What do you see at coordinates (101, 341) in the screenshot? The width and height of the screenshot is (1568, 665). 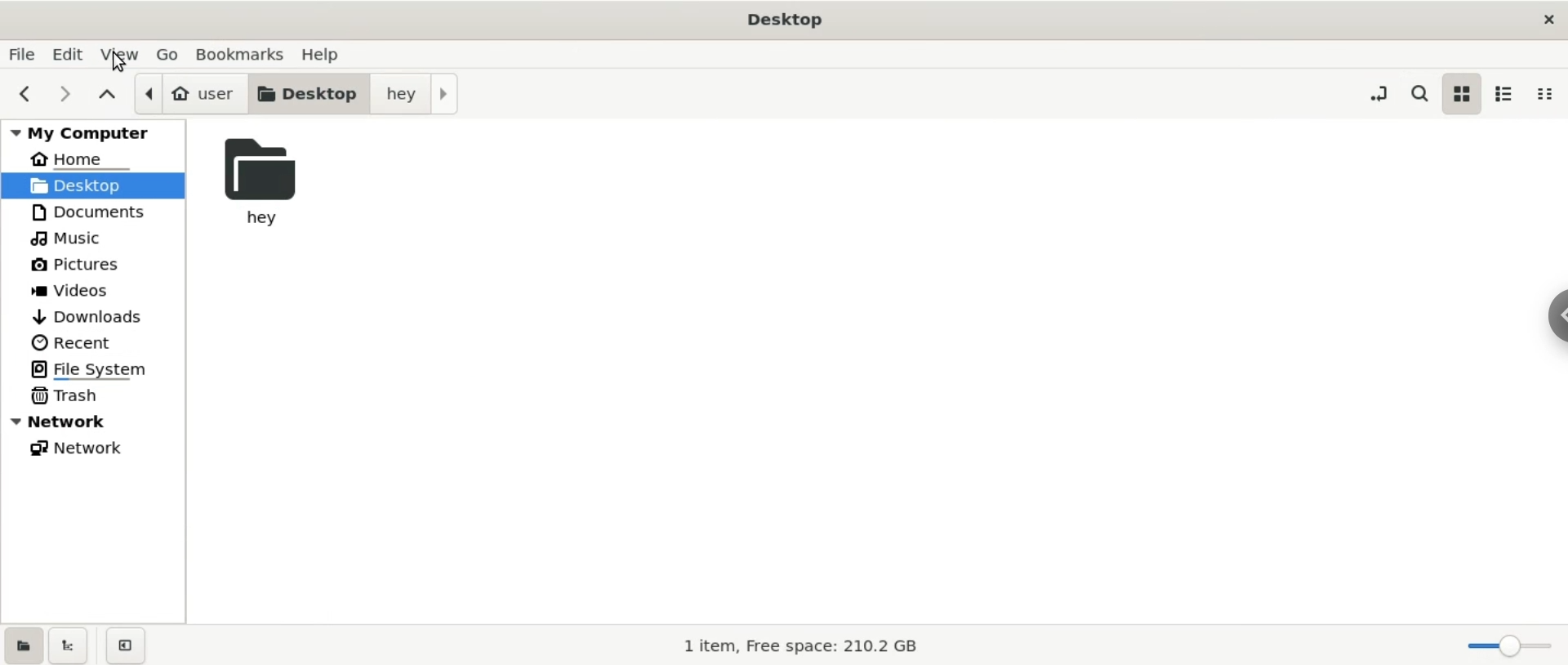 I see `recent` at bounding box center [101, 341].